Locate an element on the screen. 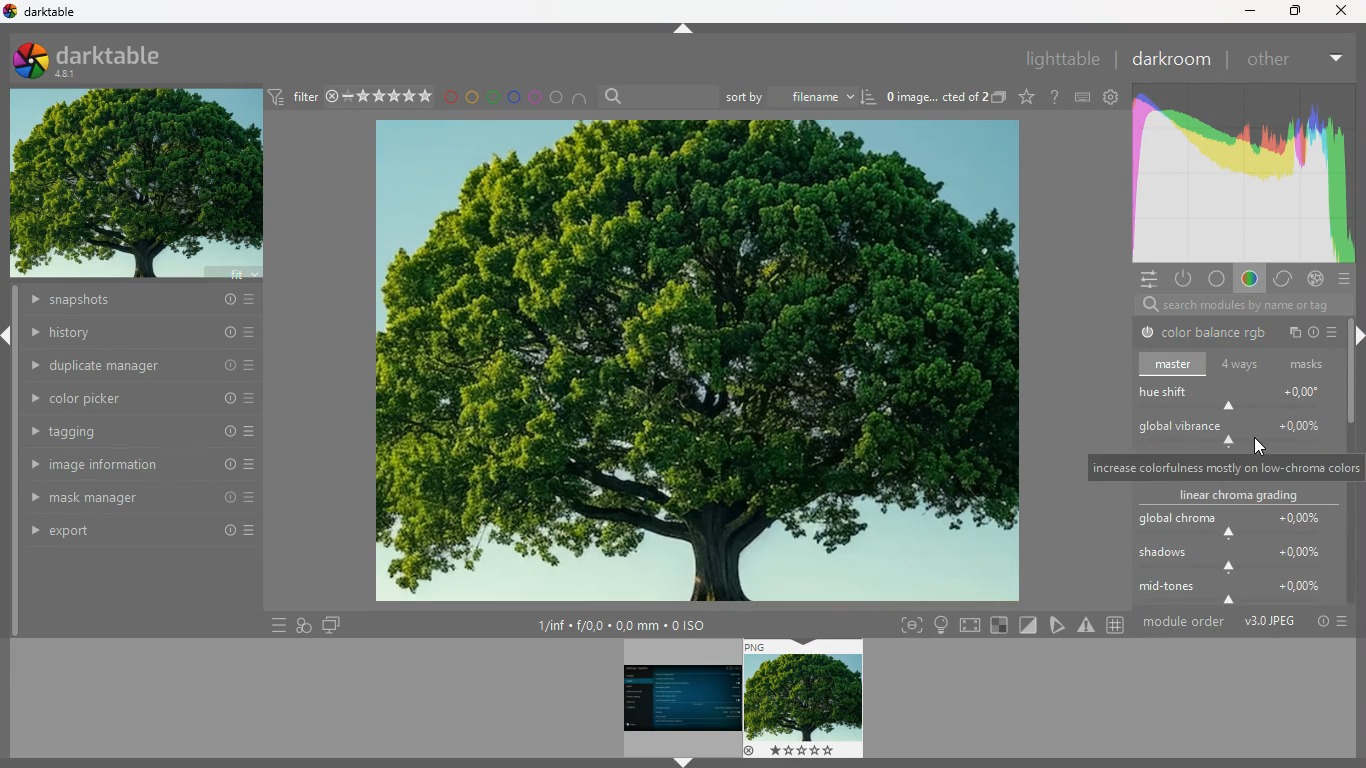  search is located at coordinates (1234, 306).